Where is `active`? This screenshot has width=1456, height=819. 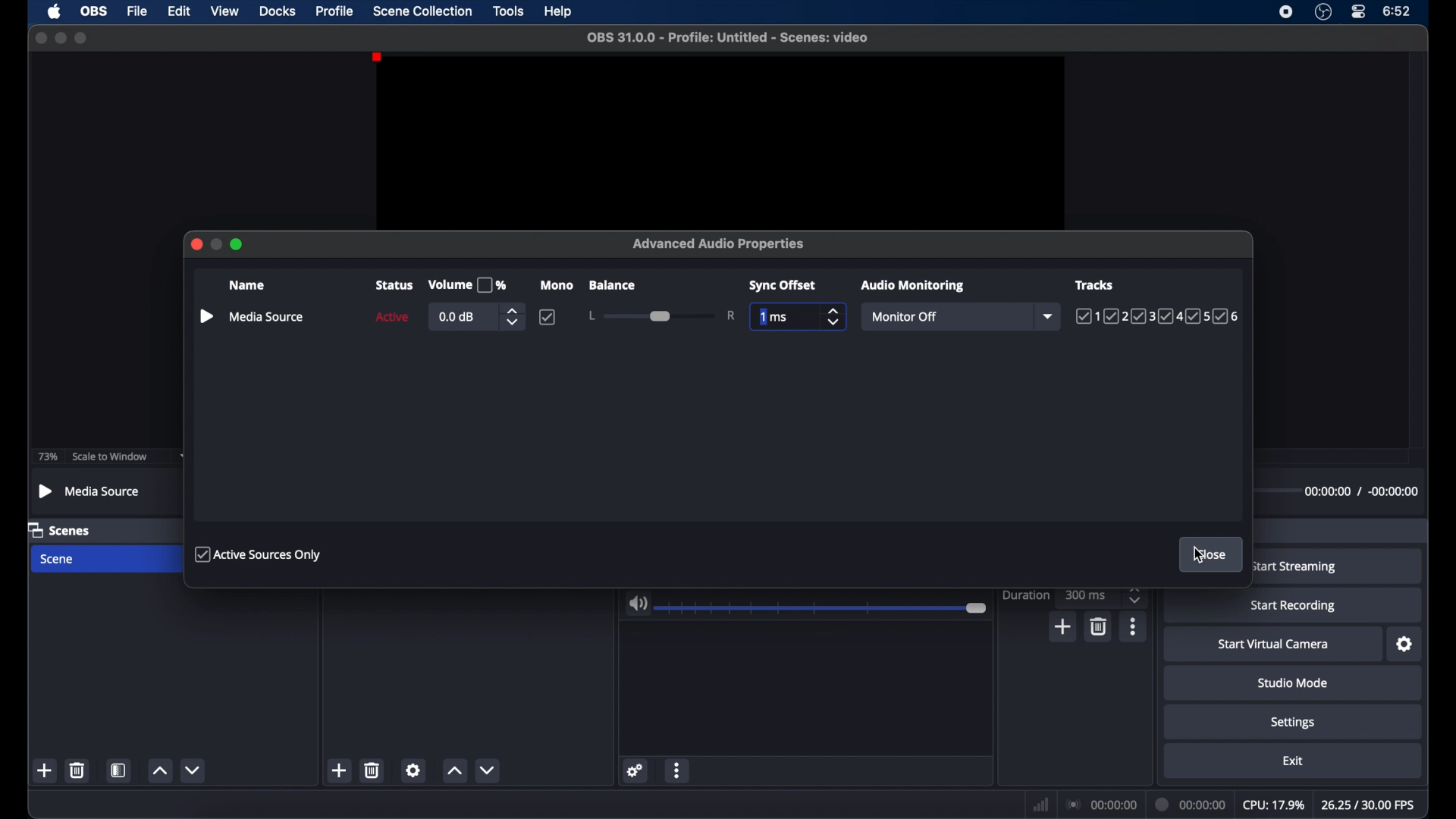
active is located at coordinates (391, 318).